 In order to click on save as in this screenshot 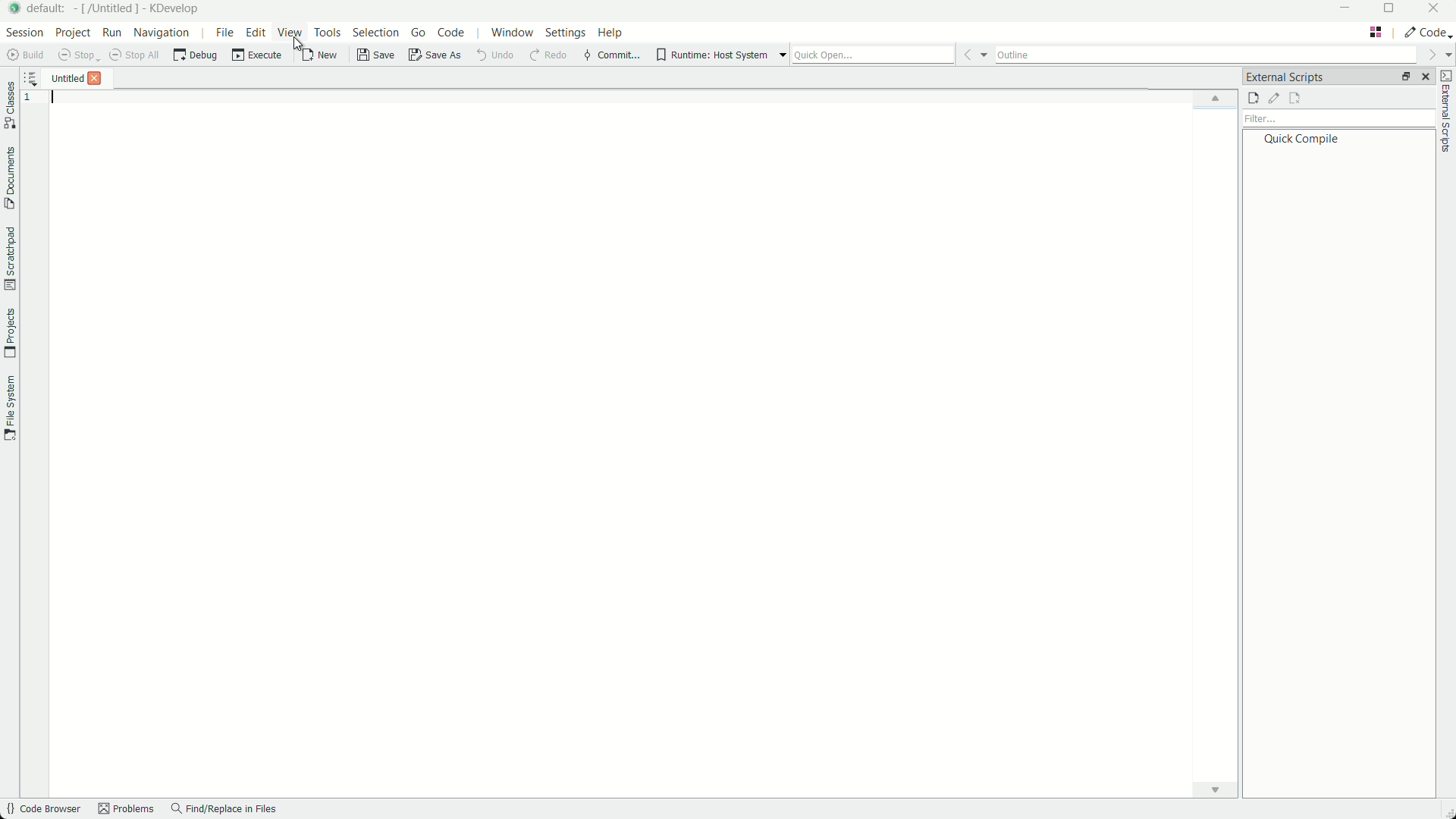, I will do `click(438, 56)`.